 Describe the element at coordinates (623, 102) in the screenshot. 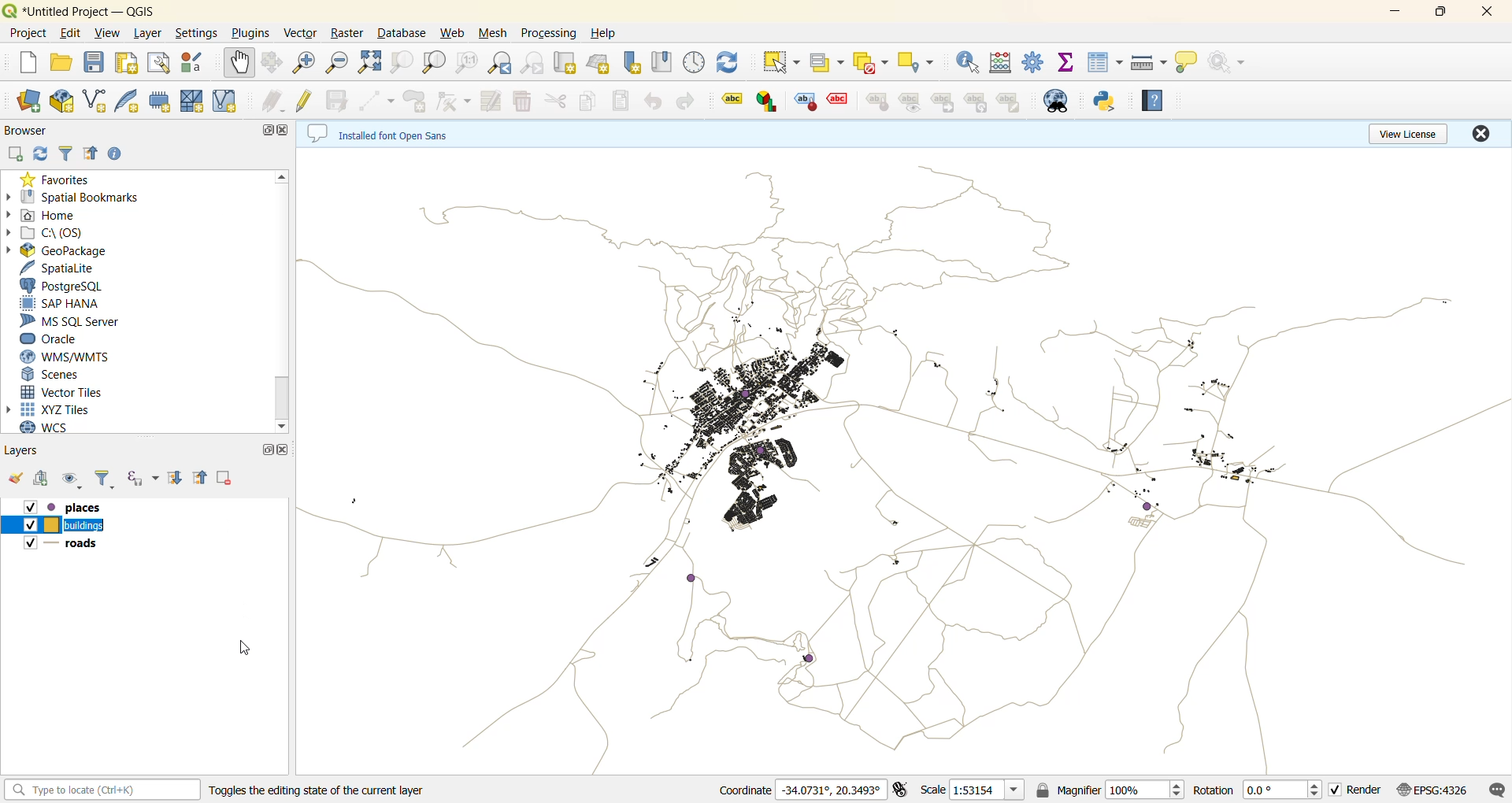

I see `paste` at that location.